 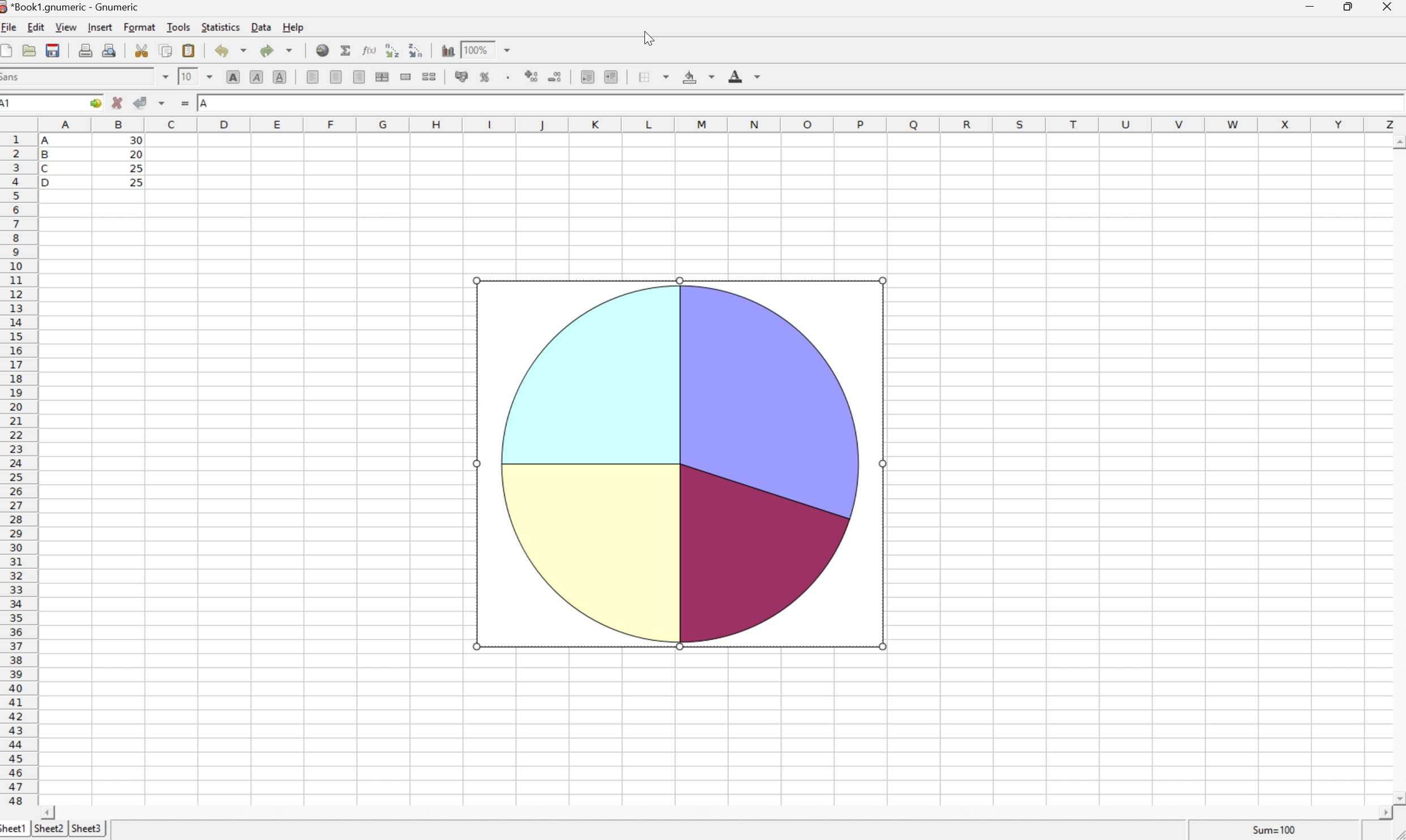 I want to click on Sans, so click(x=12, y=76).